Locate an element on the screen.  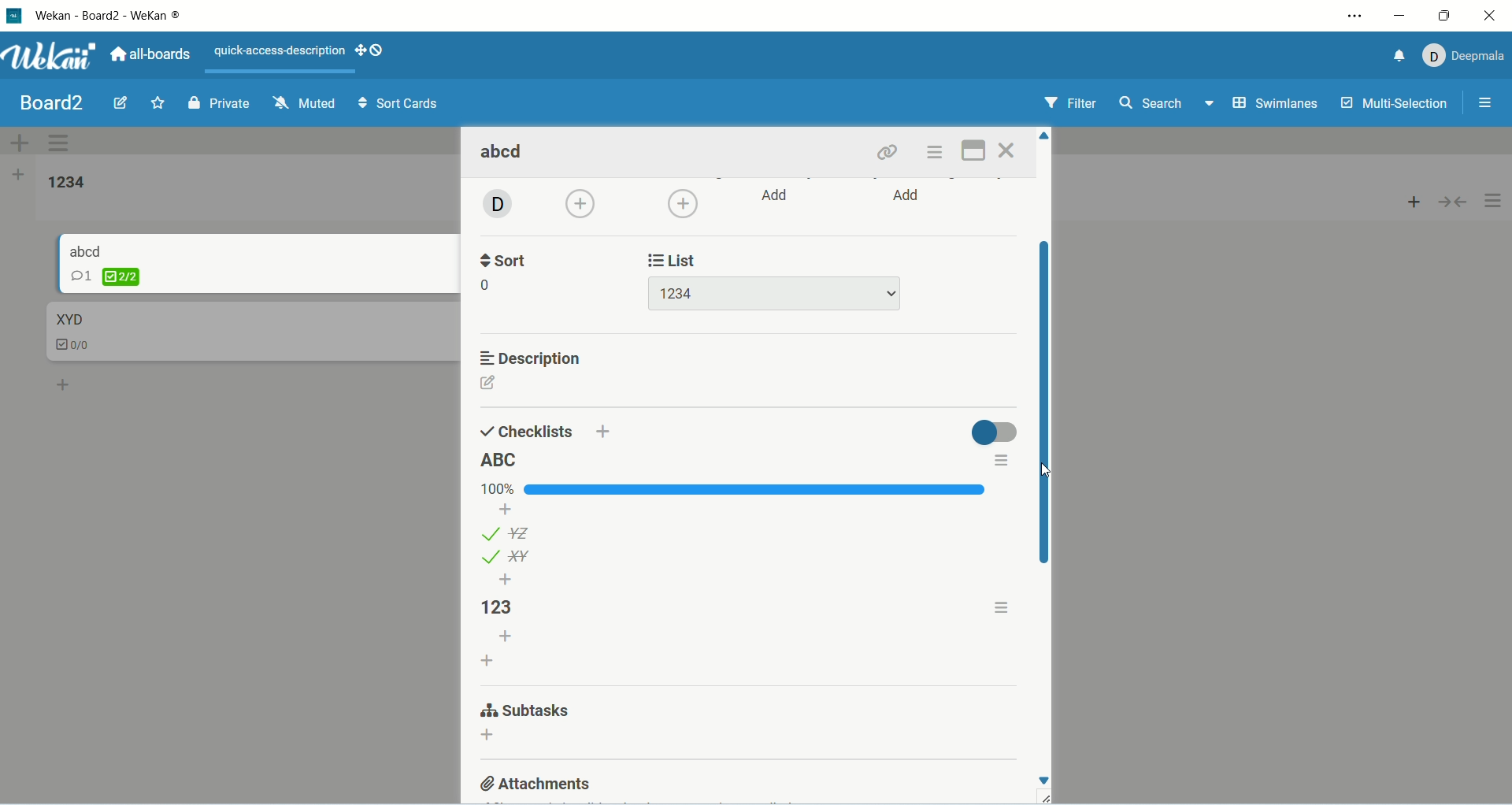
options is located at coordinates (1495, 202).